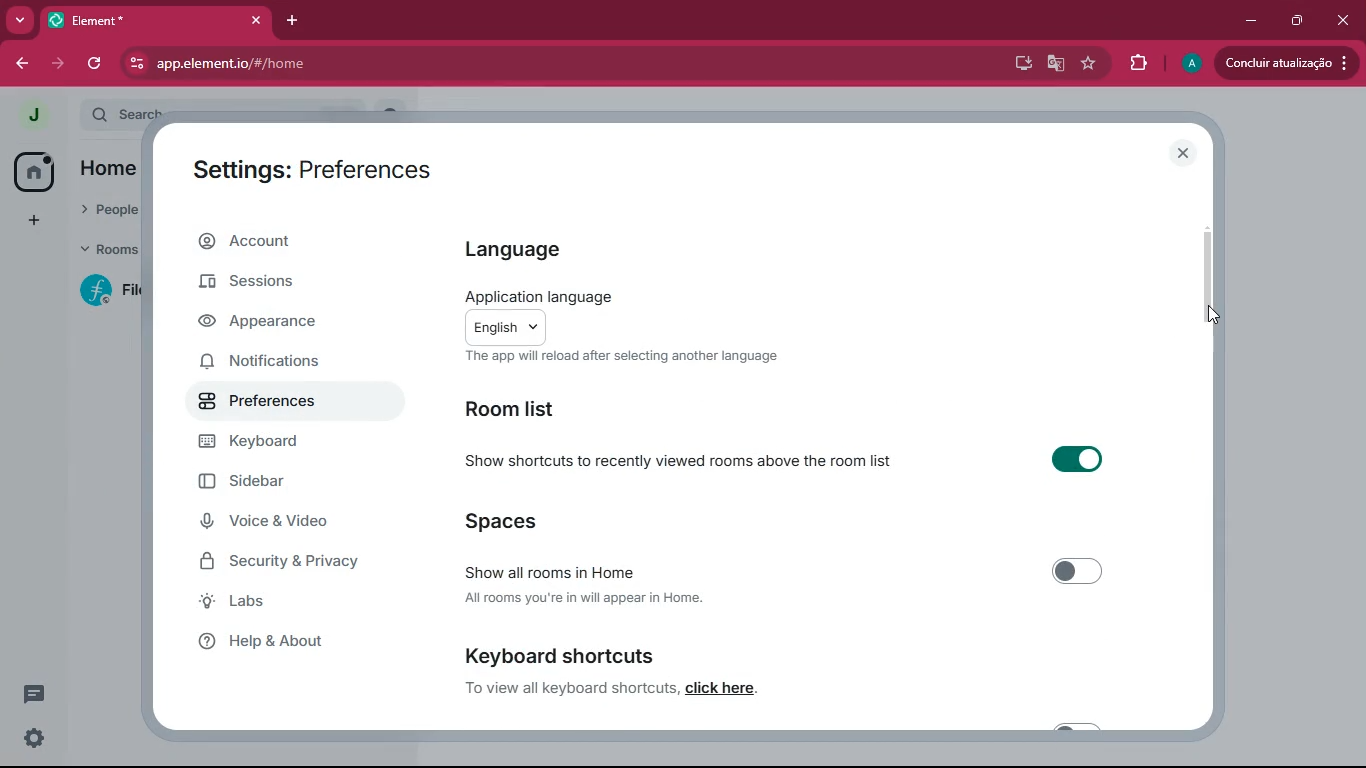 This screenshot has width=1366, height=768. What do you see at coordinates (105, 208) in the screenshot?
I see `people` at bounding box center [105, 208].